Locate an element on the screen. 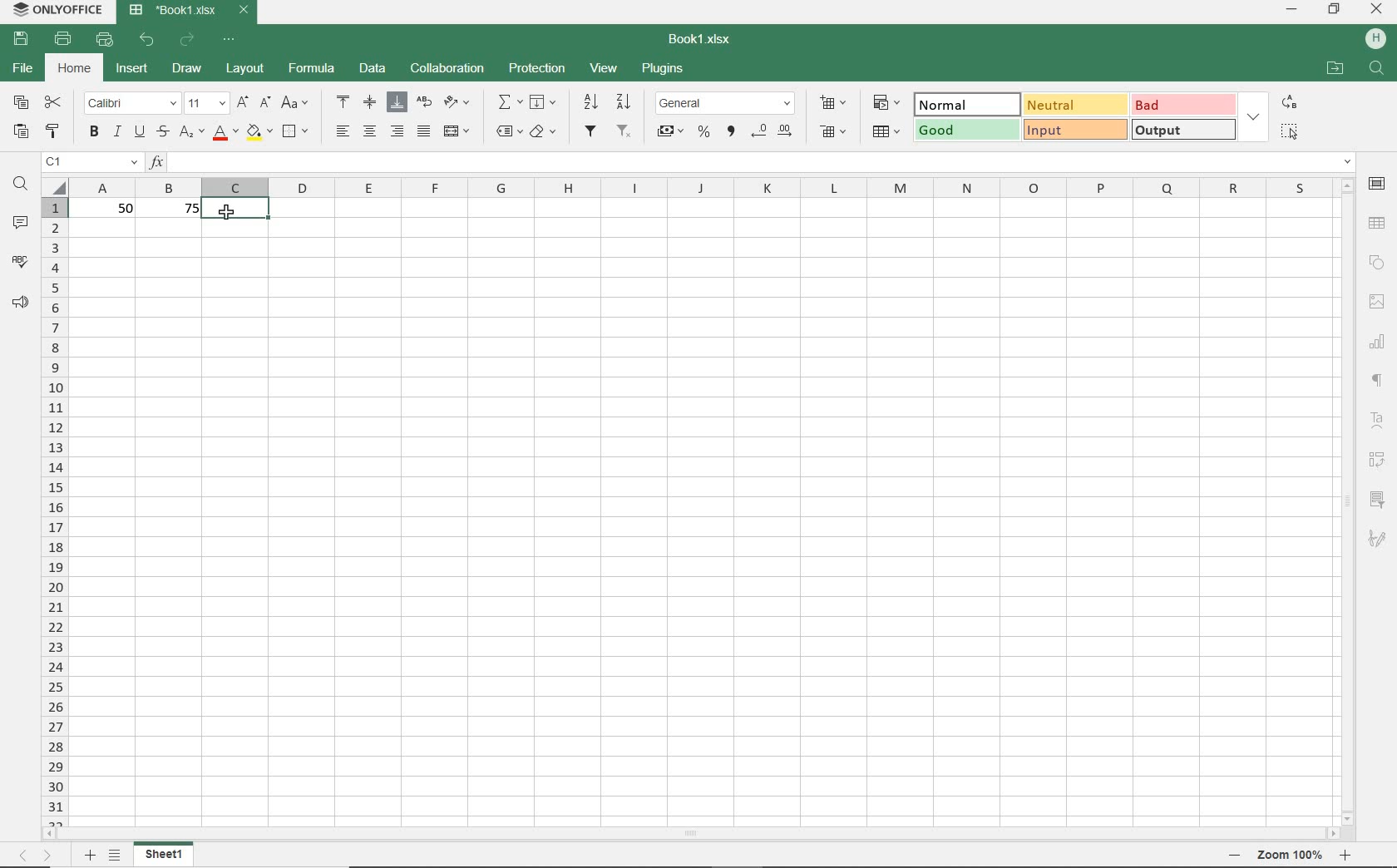 Image resolution: width=1397 pixels, height=868 pixels. font name is located at coordinates (132, 103).